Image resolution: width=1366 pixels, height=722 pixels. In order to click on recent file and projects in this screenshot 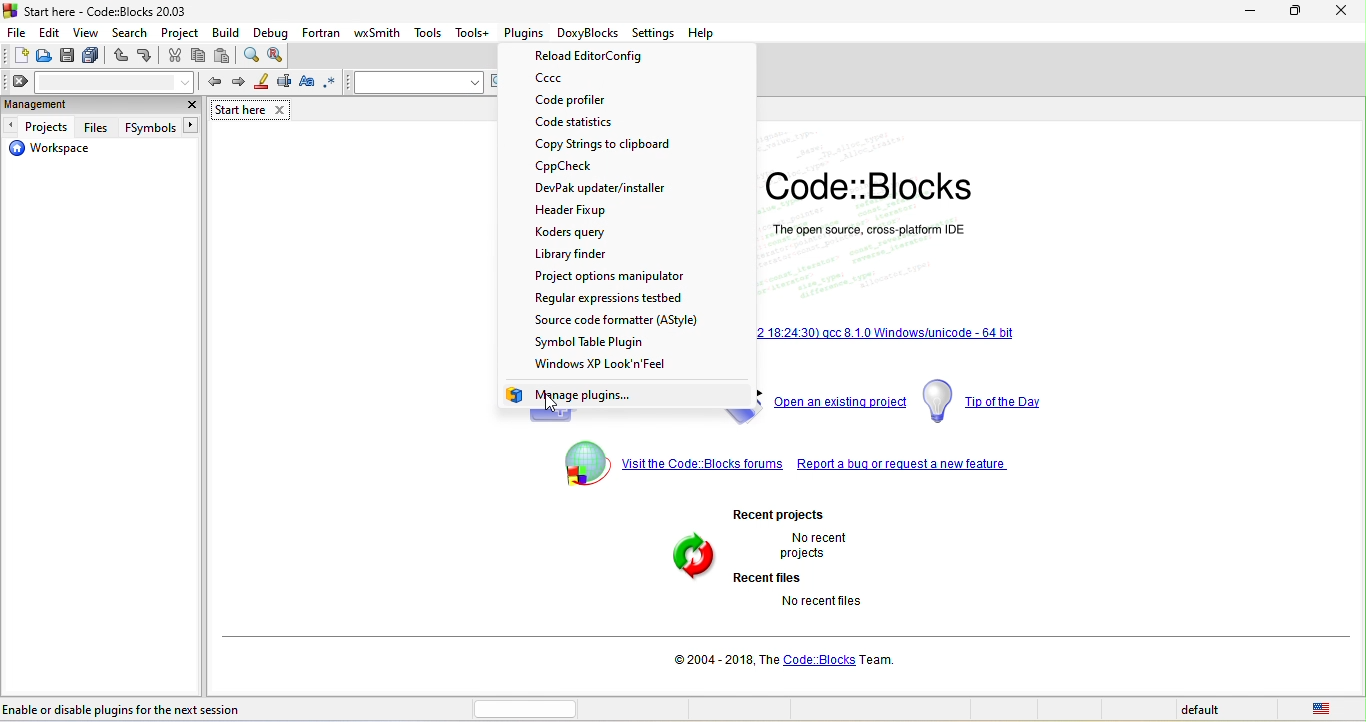, I will do `click(794, 561)`.